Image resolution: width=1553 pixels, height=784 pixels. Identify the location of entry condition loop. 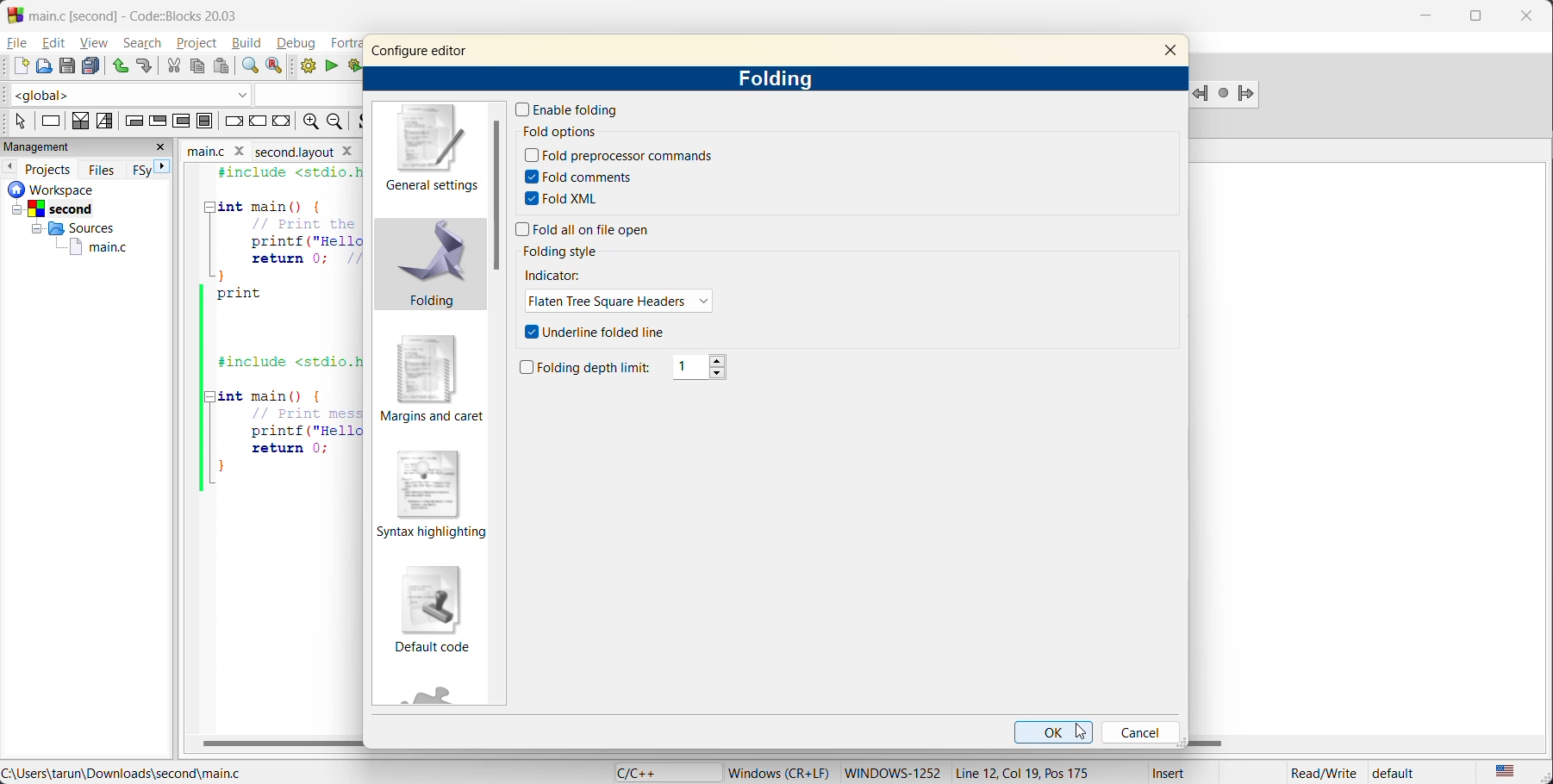
(132, 121).